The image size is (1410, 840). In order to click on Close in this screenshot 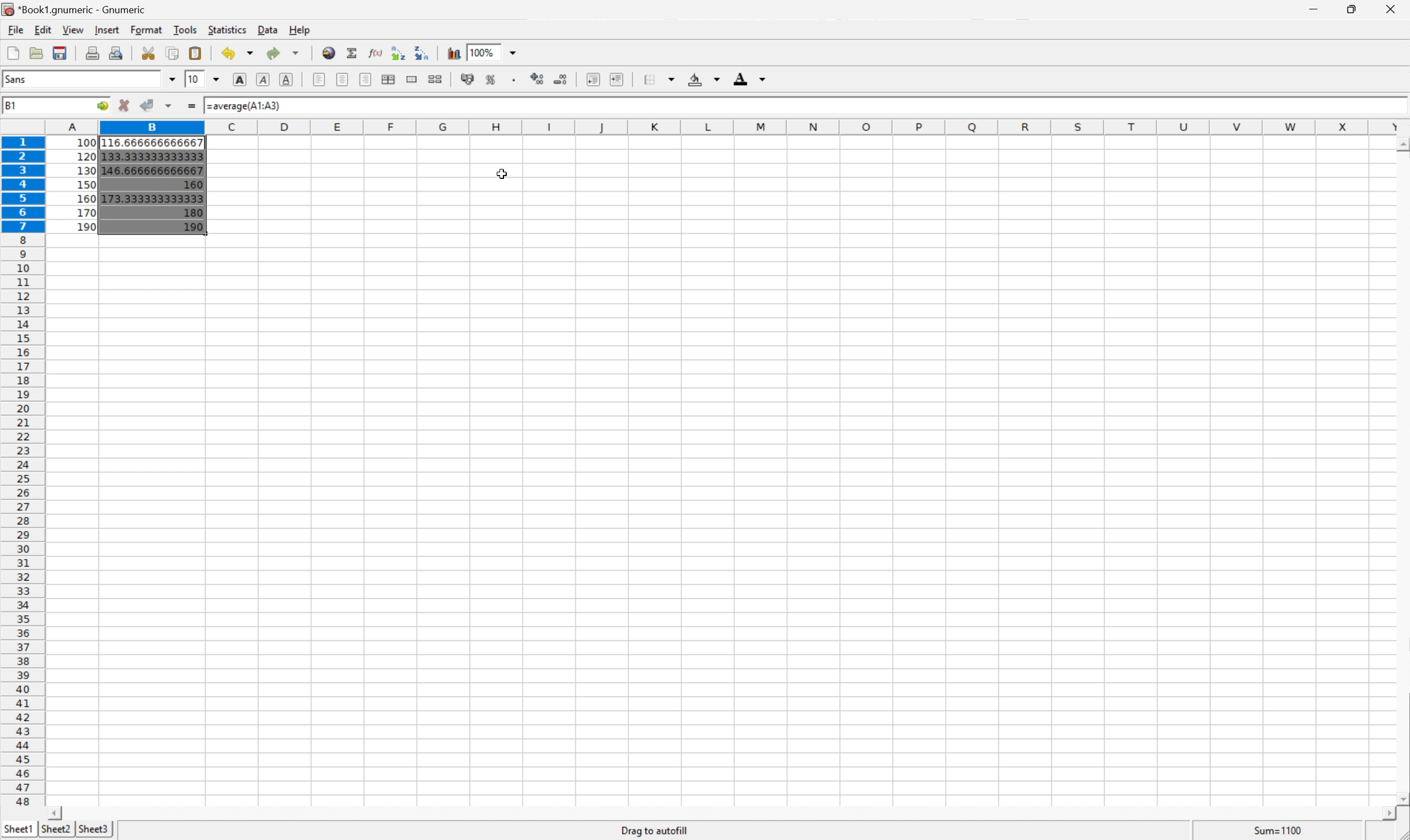, I will do `click(1390, 11)`.